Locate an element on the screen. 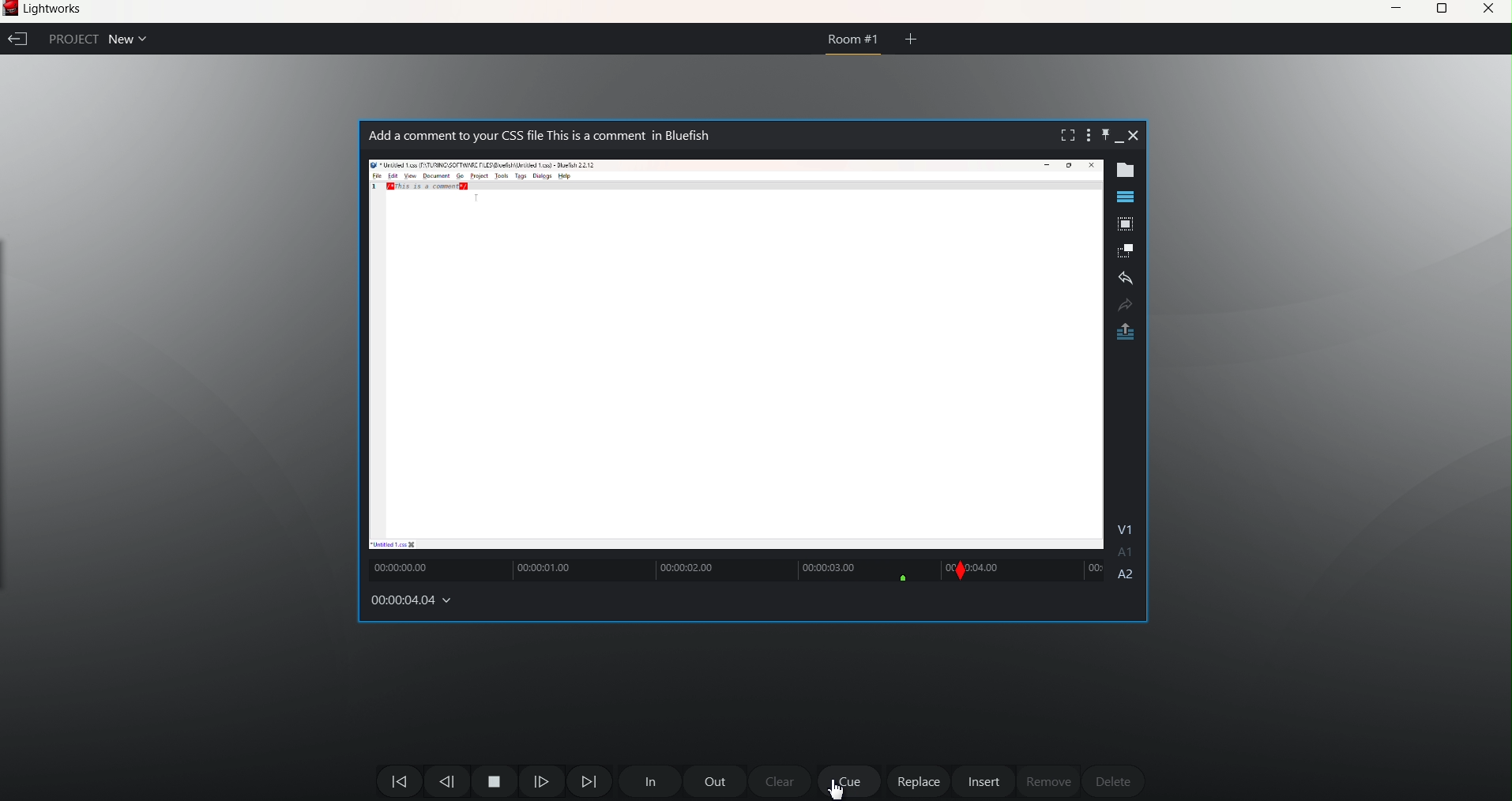  remove is located at coordinates (1048, 781).